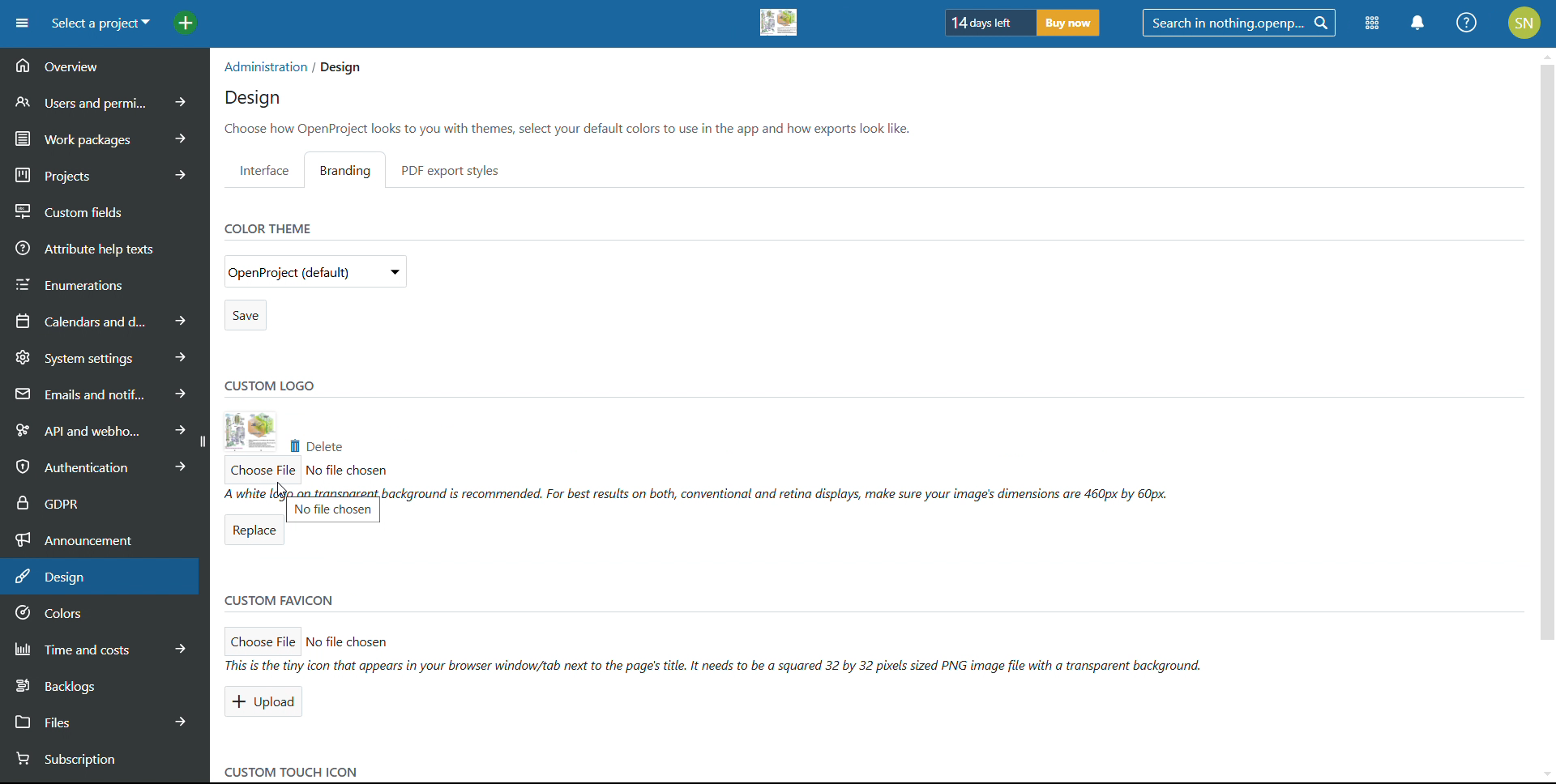 This screenshot has width=1556, height=784. Describe the element at coordinates (1546, 53) in the screenshot. I see `scroll up` at that location.